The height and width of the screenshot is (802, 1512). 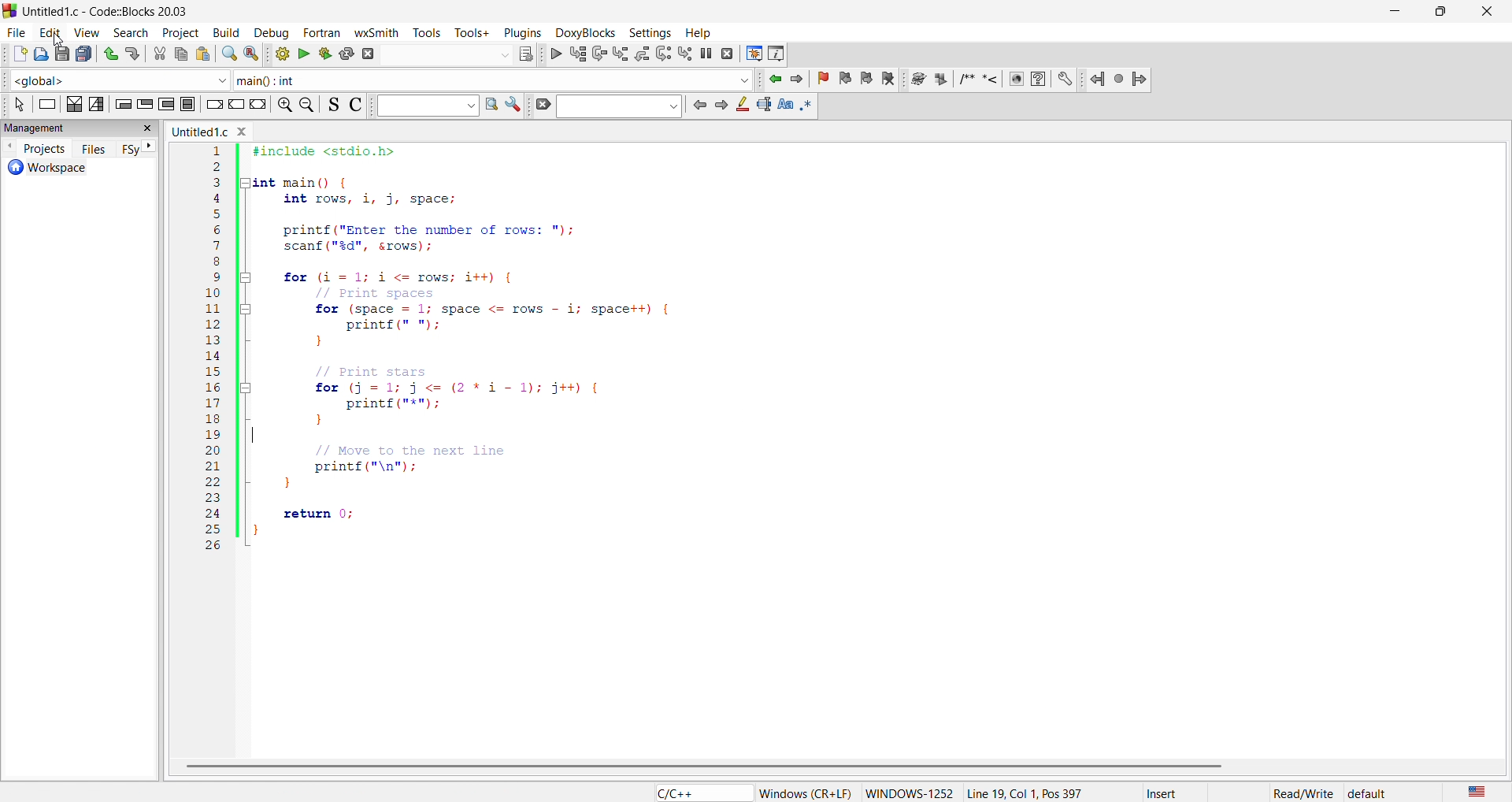 I want to click on minimize, so click(x=1395, y=10).